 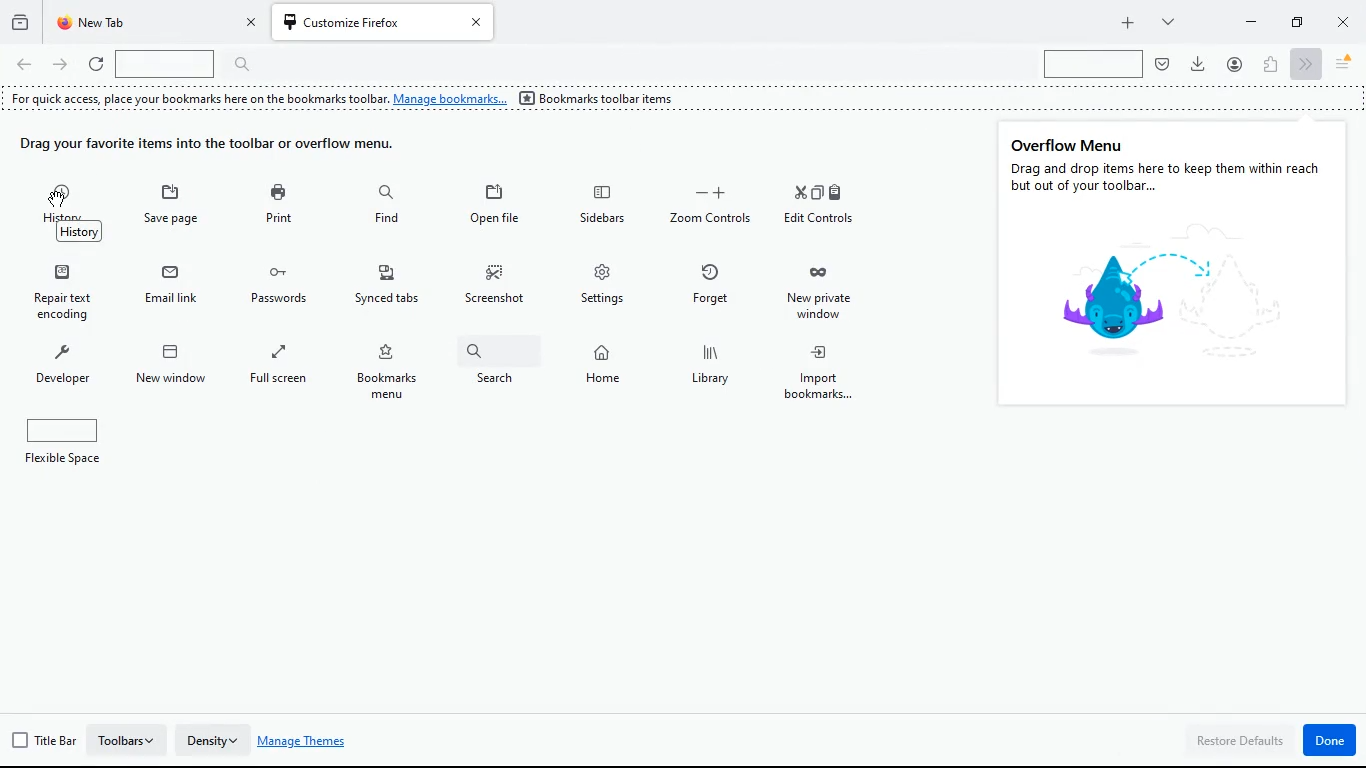 I want to click on For quick access, place your bookmarks here on the bookmarks toolbar. Manage bookmarks..., so click(x=256, y=99).